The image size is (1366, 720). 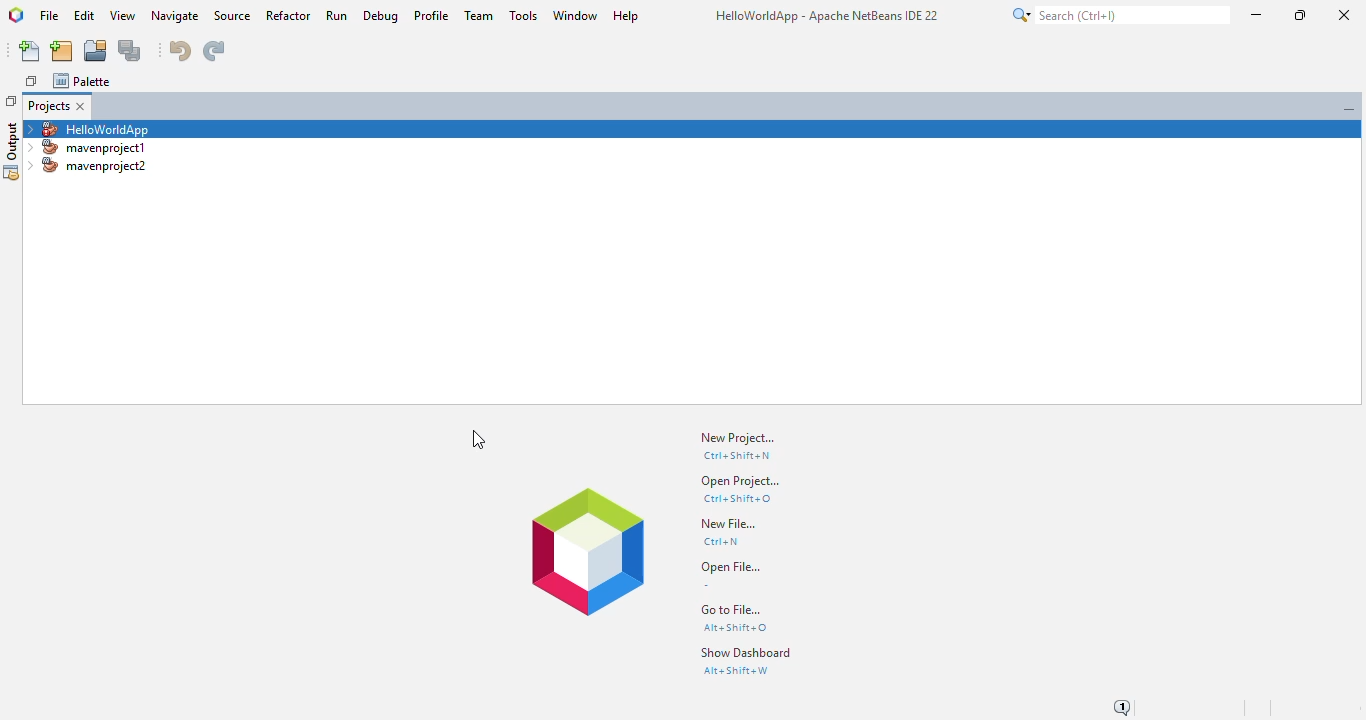 I want to click on search, so click(x=1119, y=15).